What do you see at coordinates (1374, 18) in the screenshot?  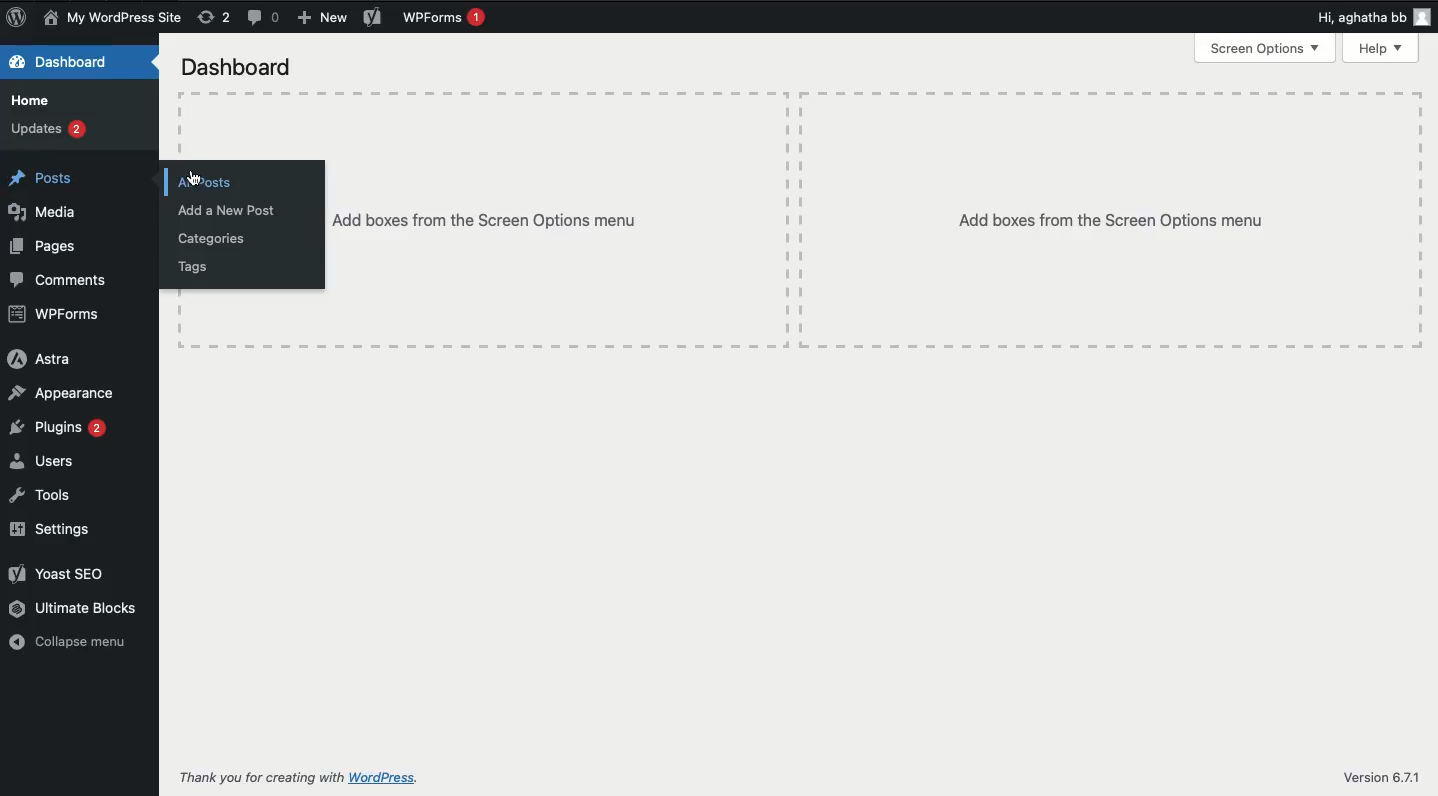 I see `Hi user` at bounding box center [1374, 18].